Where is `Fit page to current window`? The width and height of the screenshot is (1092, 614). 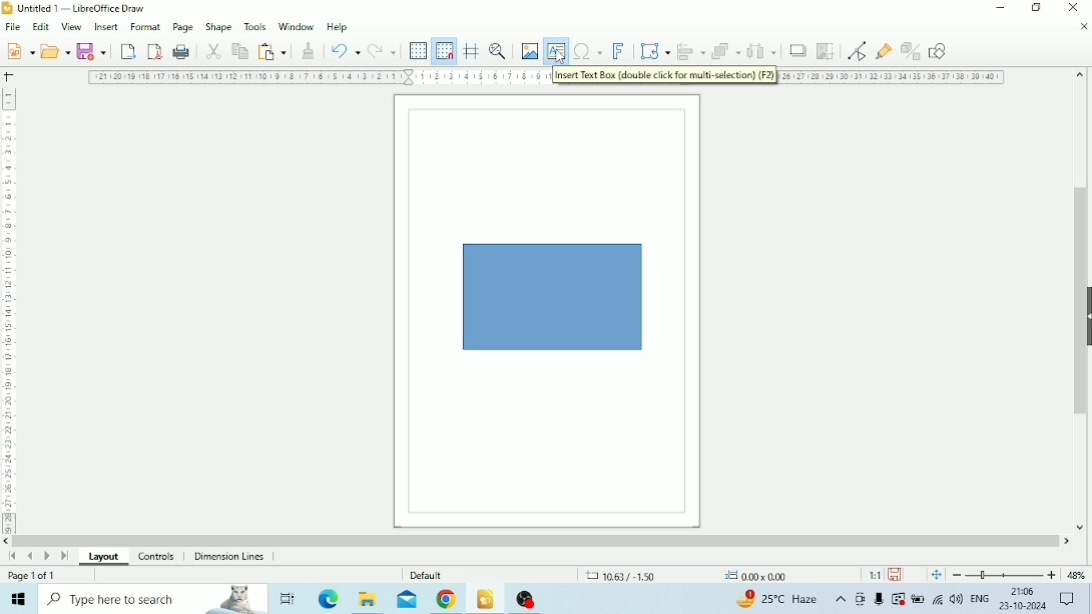
Fit page to current window is located at coordinates (936, 575).